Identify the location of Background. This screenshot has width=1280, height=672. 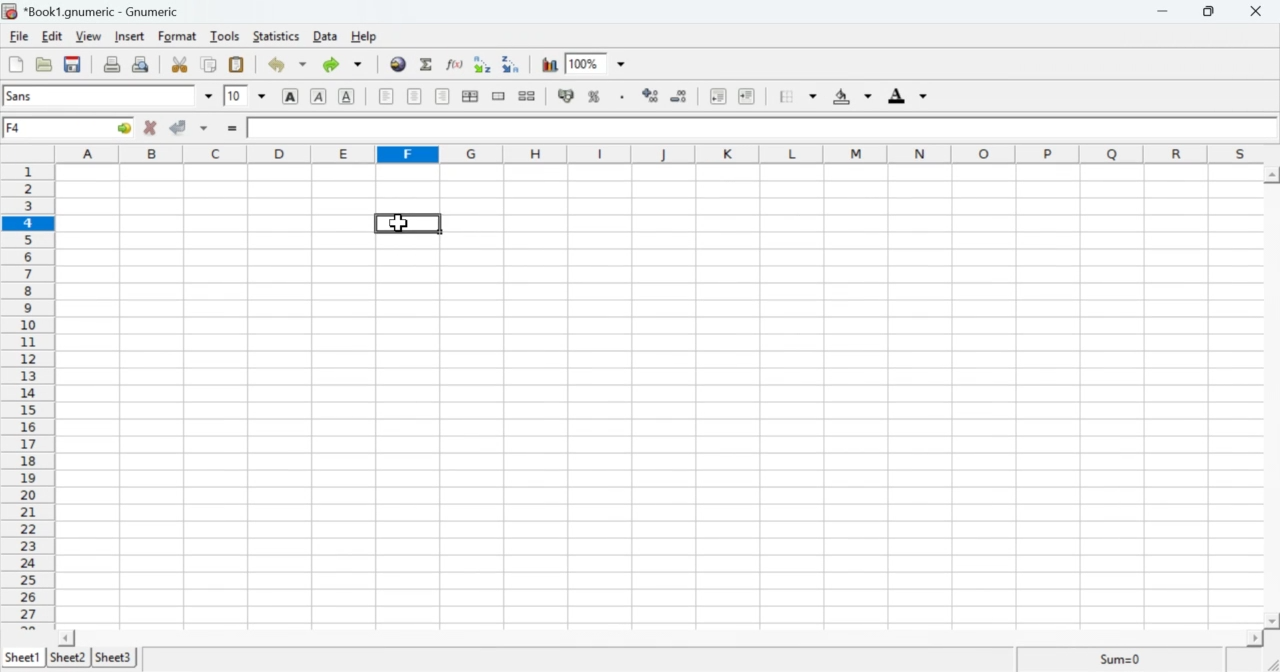
(847, 96).